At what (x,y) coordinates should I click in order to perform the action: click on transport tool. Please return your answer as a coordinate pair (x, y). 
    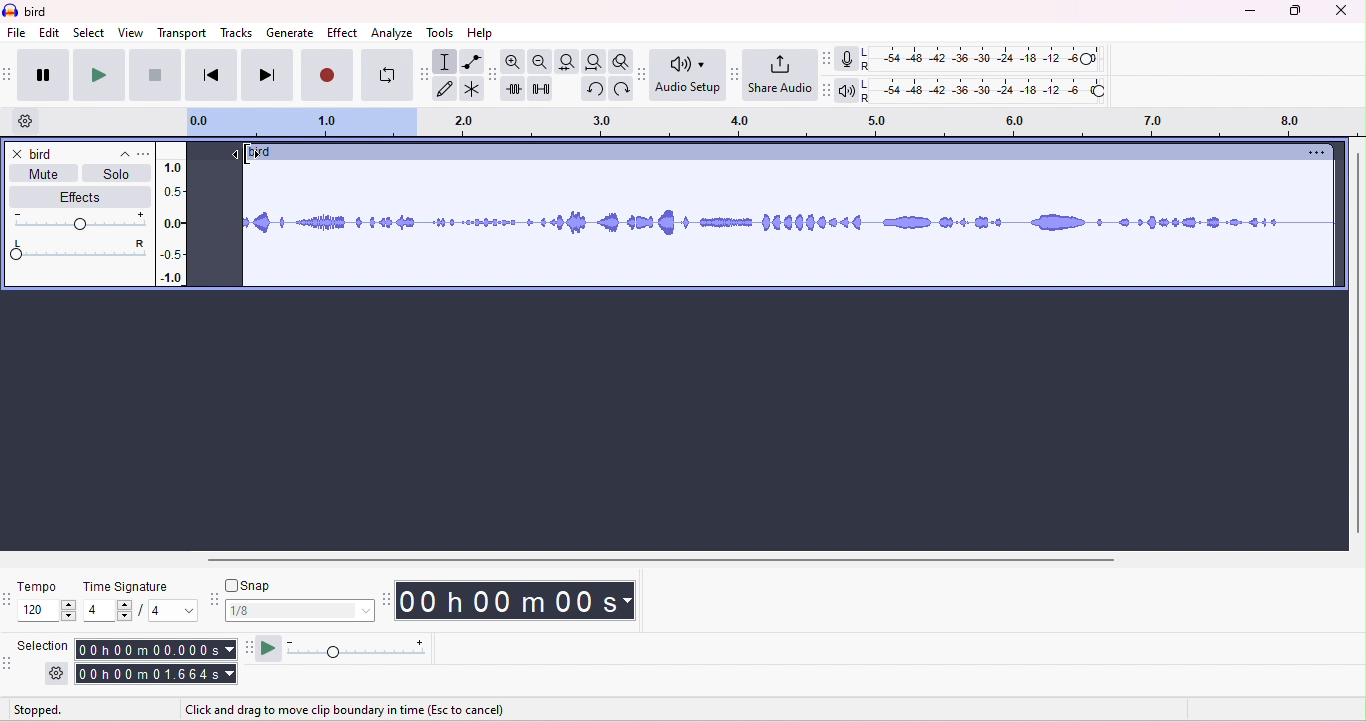
    Looking at the image, I should click on (9, 75).